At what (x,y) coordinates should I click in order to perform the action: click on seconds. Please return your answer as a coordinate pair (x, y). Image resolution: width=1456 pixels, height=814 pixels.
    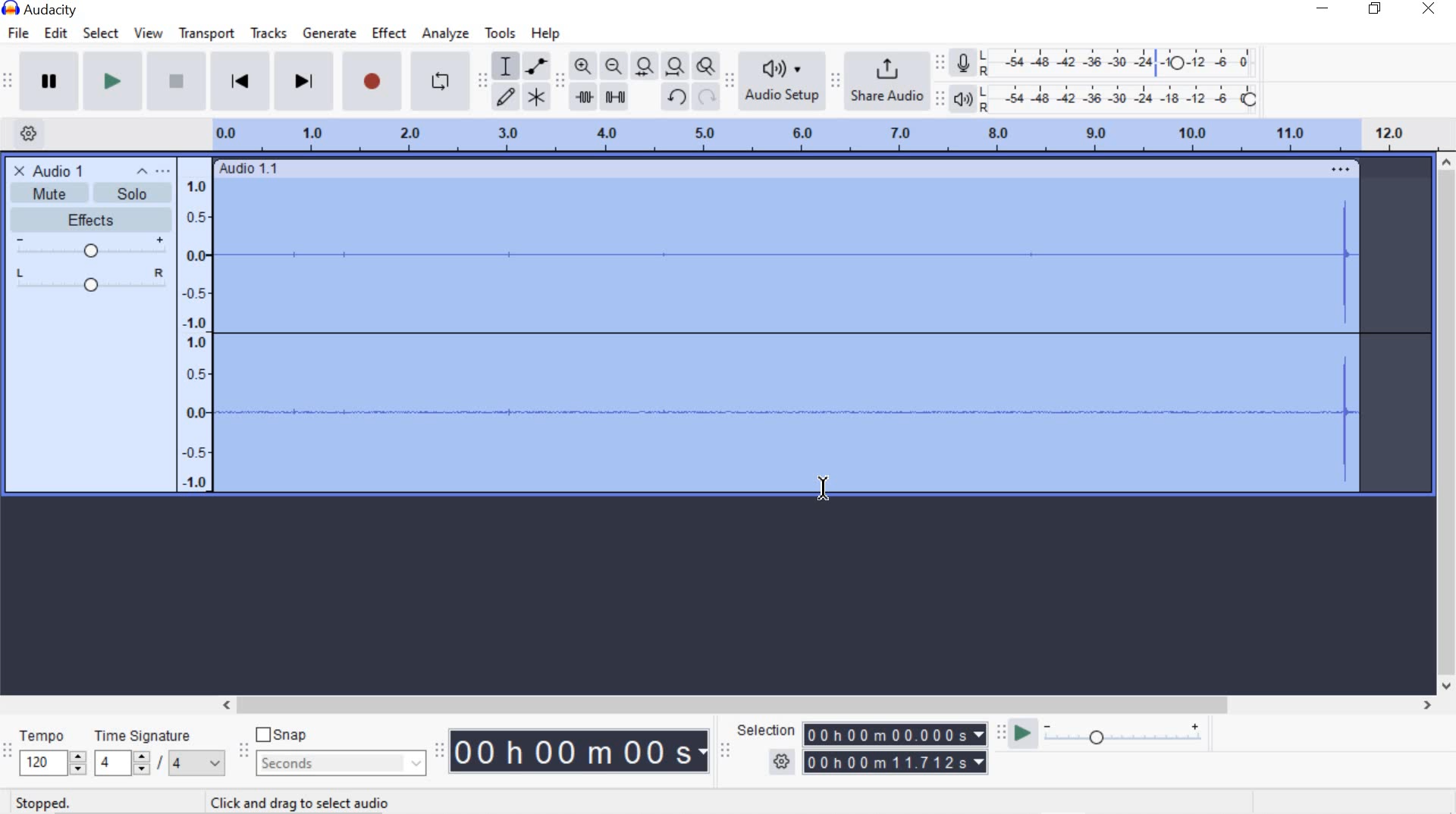
    Looking at the image, I should click on (338, 762).